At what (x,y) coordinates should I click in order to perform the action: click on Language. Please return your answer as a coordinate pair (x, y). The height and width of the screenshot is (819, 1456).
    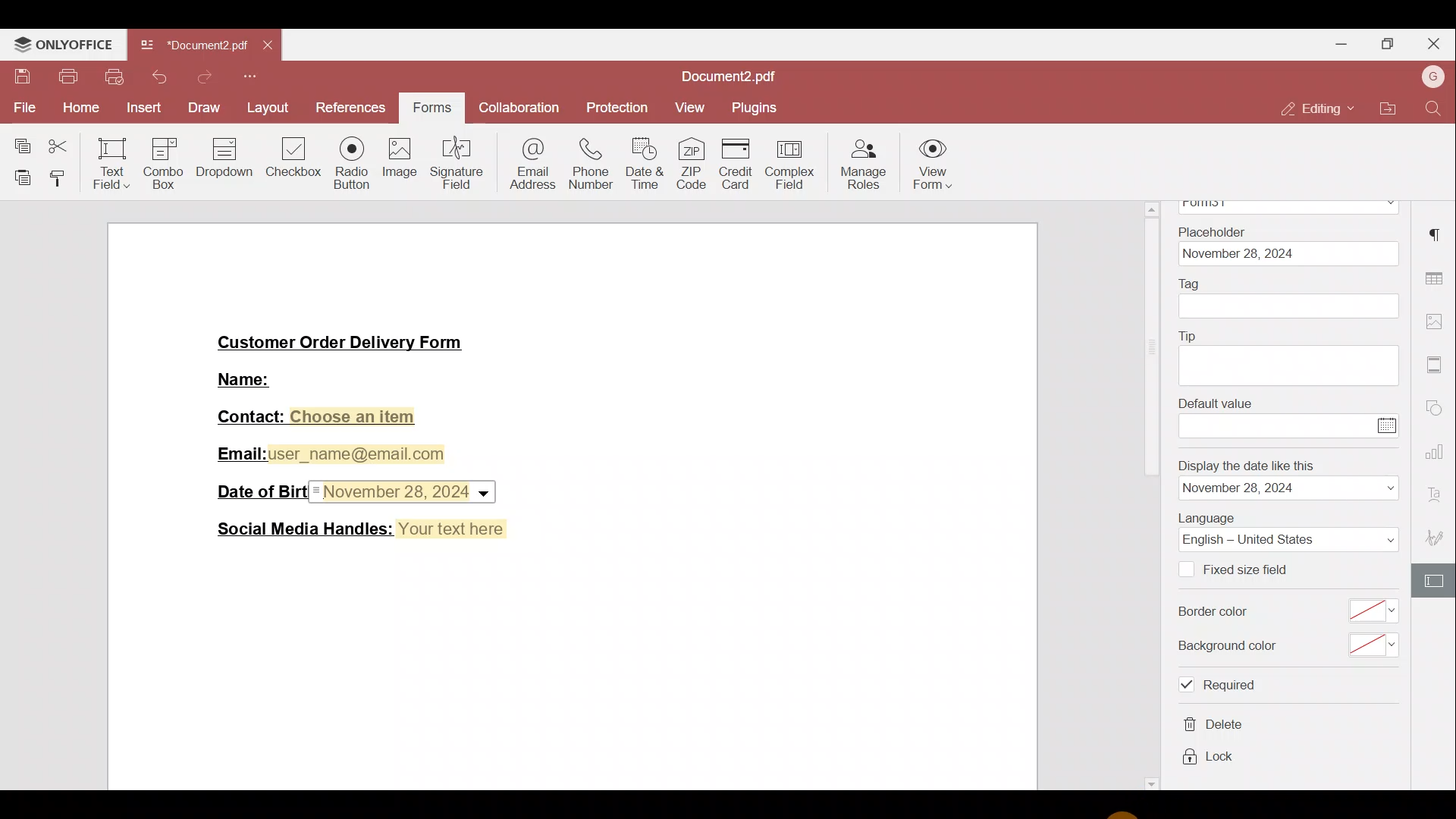
    Looking at the image, I should click on (1207, 518).